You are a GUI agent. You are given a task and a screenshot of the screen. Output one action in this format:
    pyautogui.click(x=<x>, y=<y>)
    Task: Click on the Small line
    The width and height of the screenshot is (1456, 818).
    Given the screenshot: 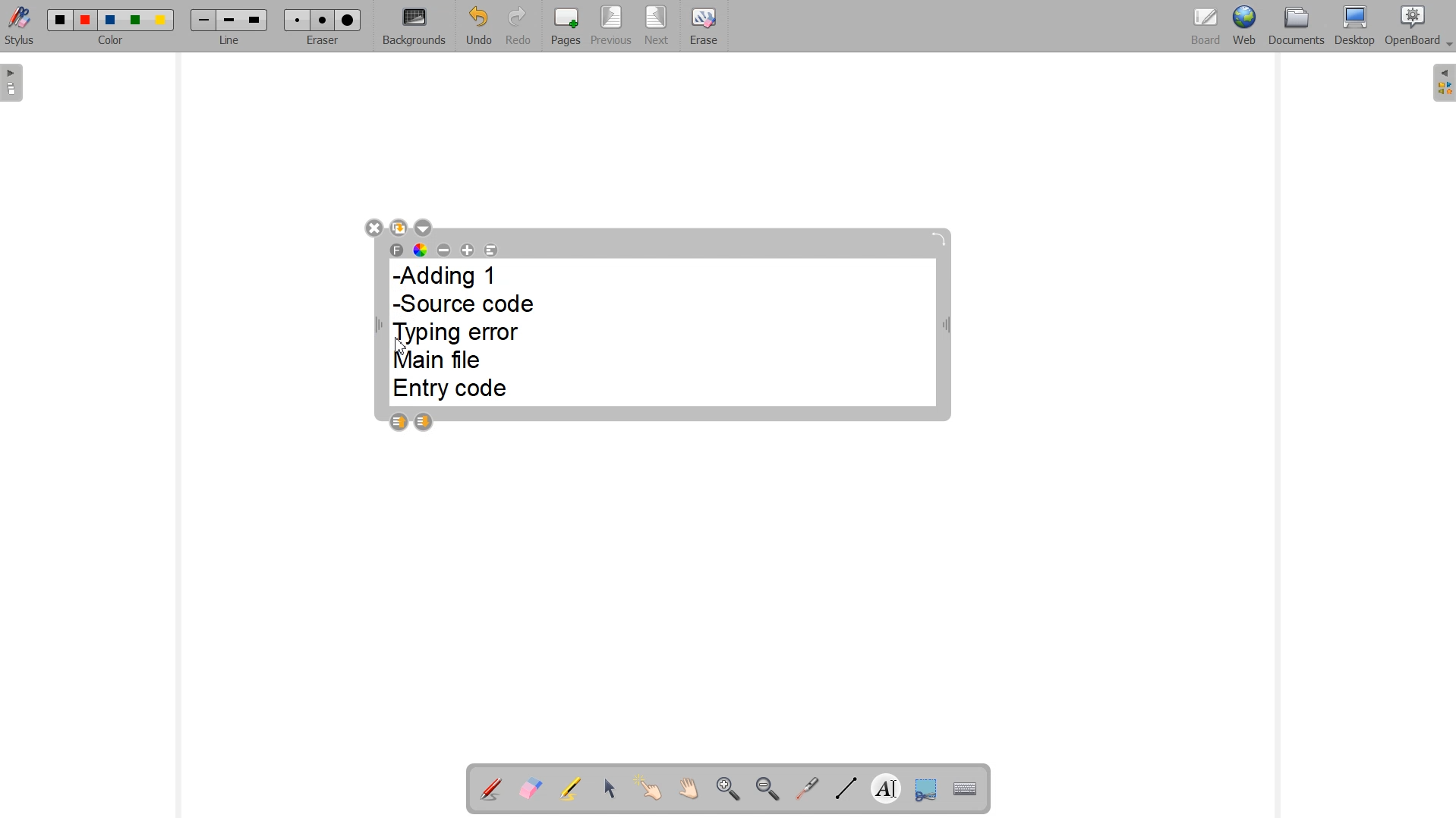 What is the action you would take?
    pyautogui.click(x=204, y=20)
    